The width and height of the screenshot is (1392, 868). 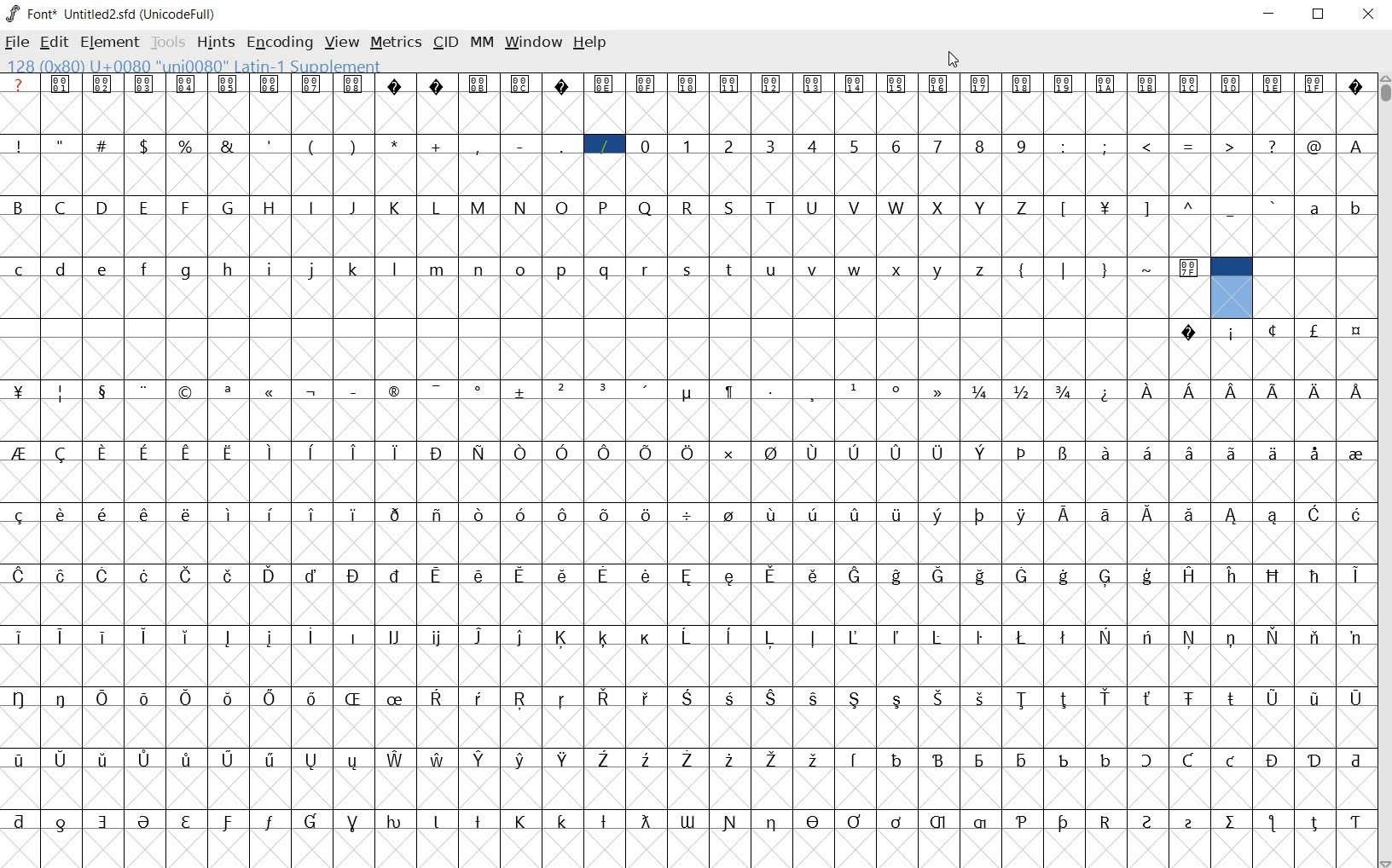 I want to click on Symbol, so click(x=270, y=391).